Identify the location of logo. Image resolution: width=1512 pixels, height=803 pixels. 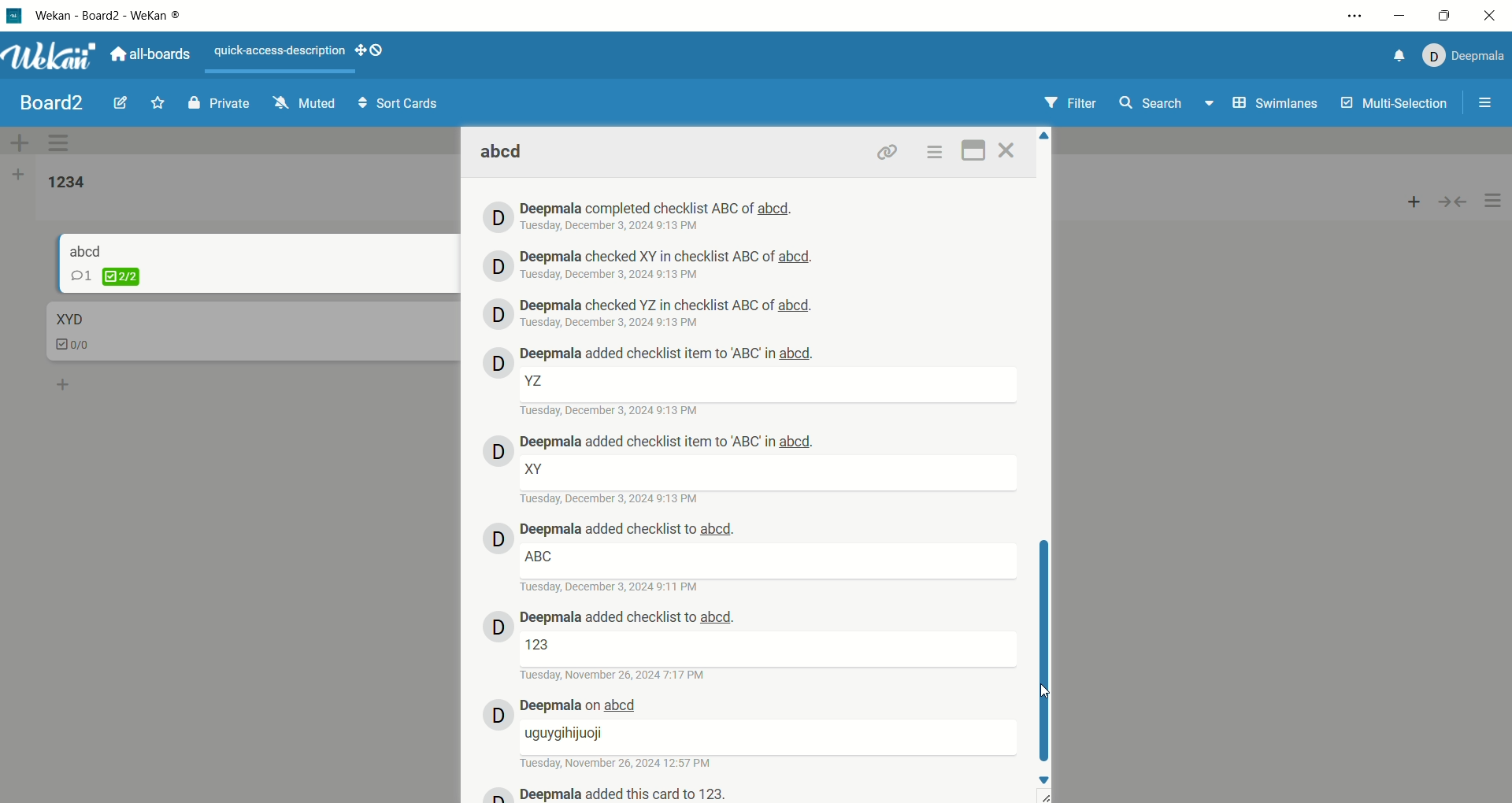
(15, 18).